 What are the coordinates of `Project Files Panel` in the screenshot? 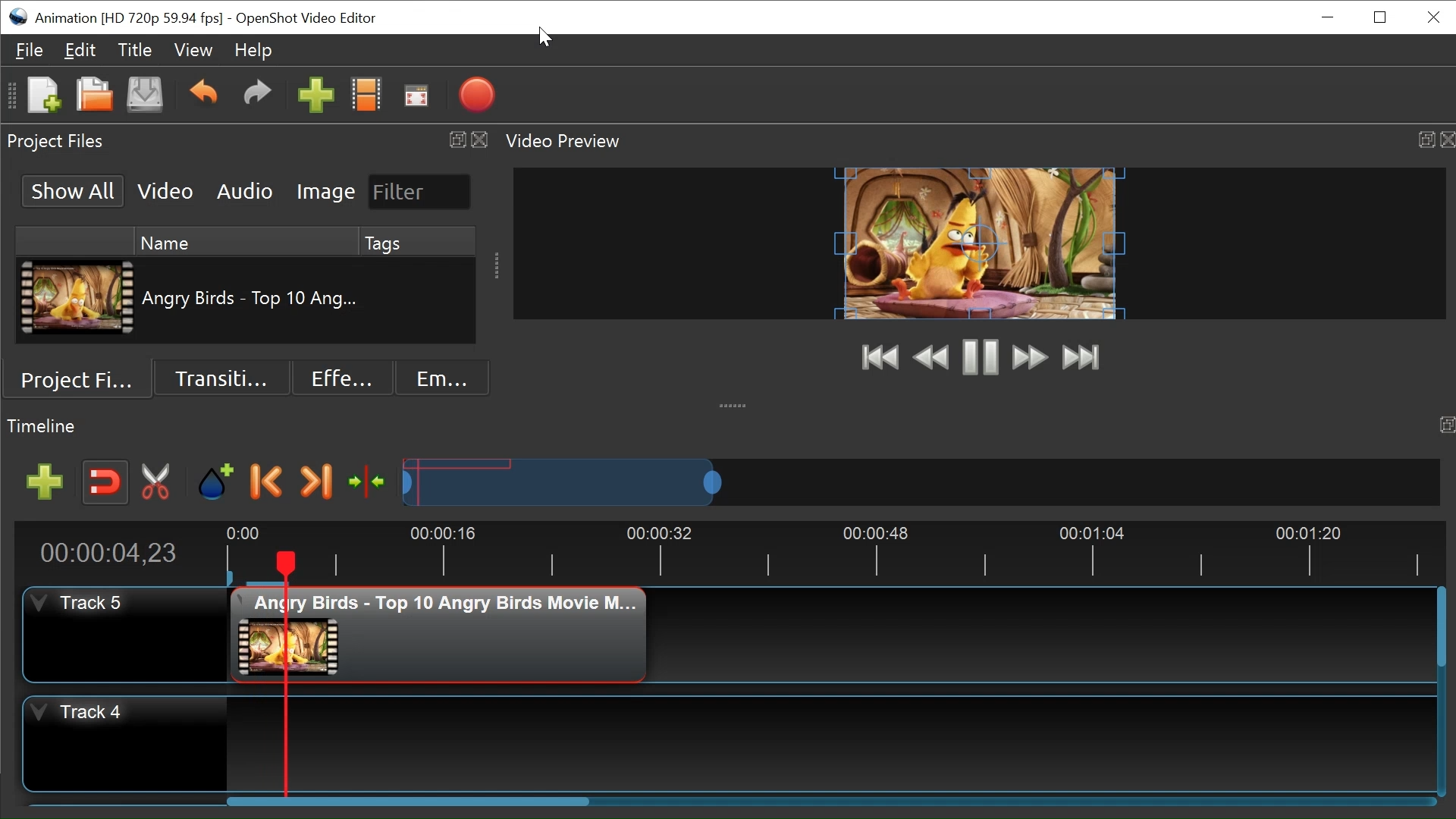 It's located at (246, 141).